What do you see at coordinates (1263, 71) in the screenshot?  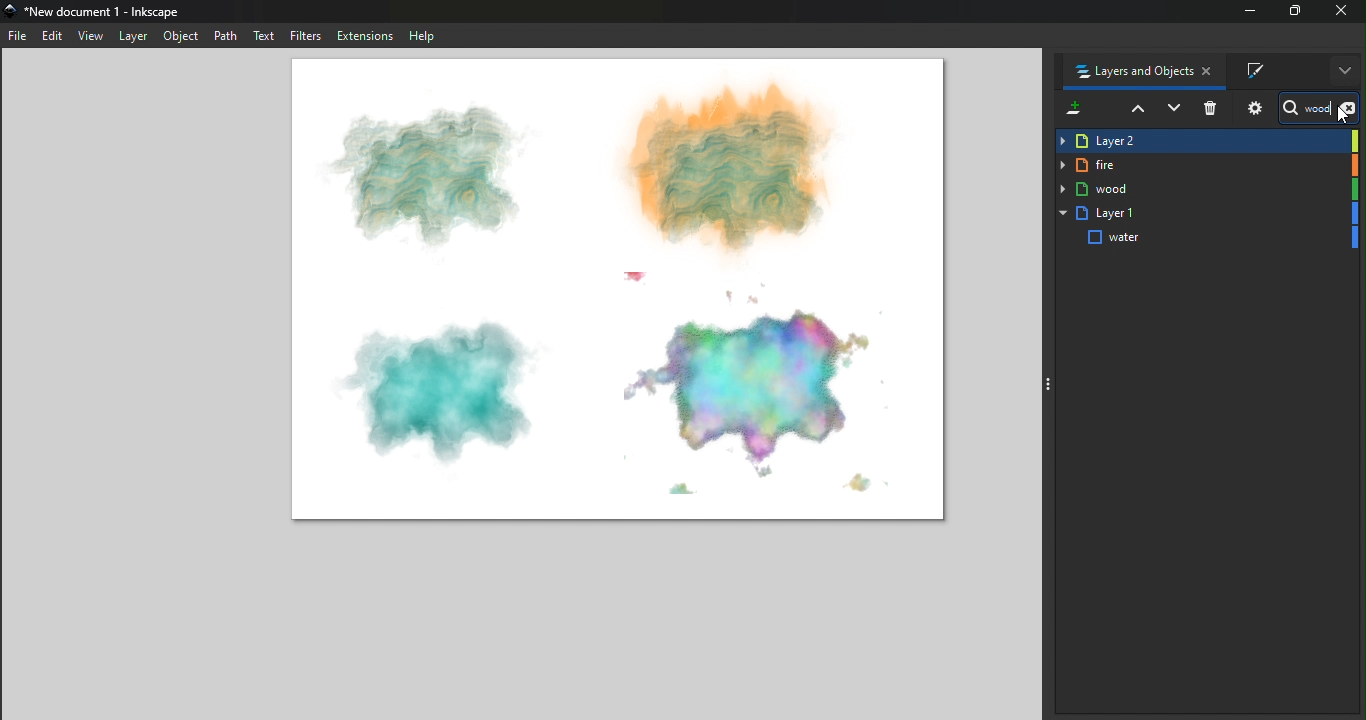 I see `Fill and stroke` at bounding box center [1263, 71].